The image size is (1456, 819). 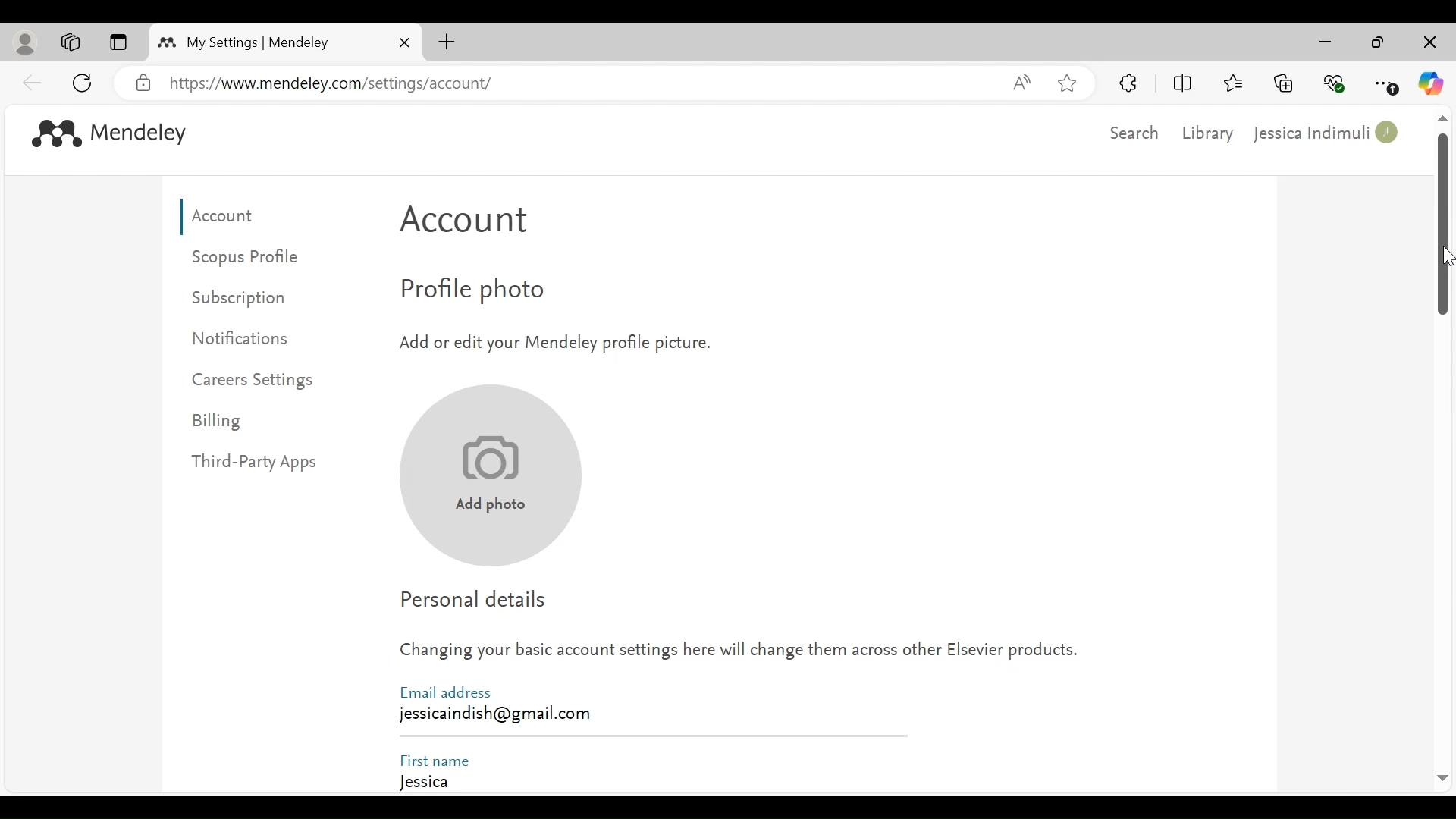 What do you see at coordinates (1442, 779) in the screenshot?
I see `Scroll Down` at bounding box center [1442, 779].